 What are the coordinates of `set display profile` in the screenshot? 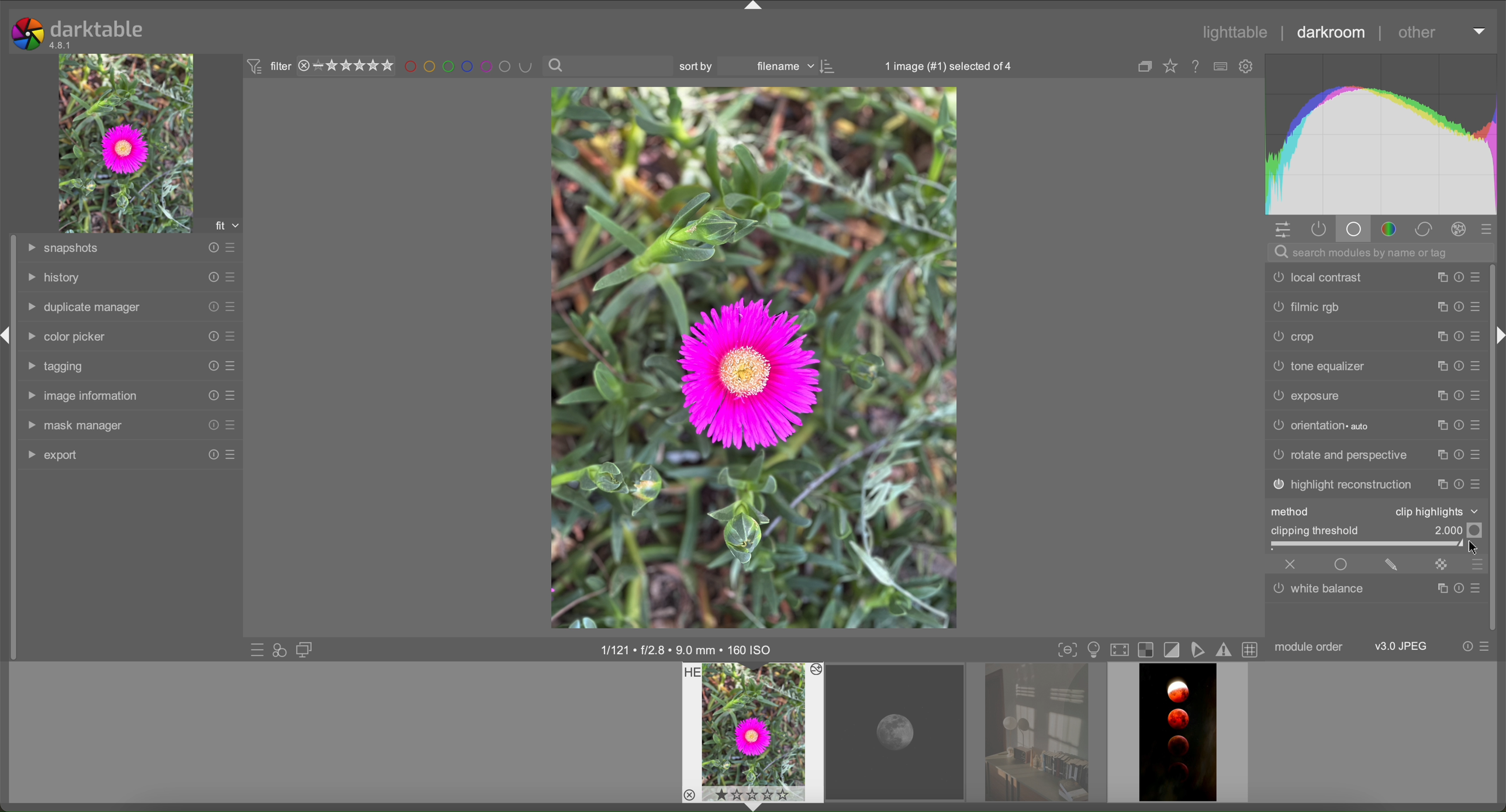 It's located at (1120, 650).